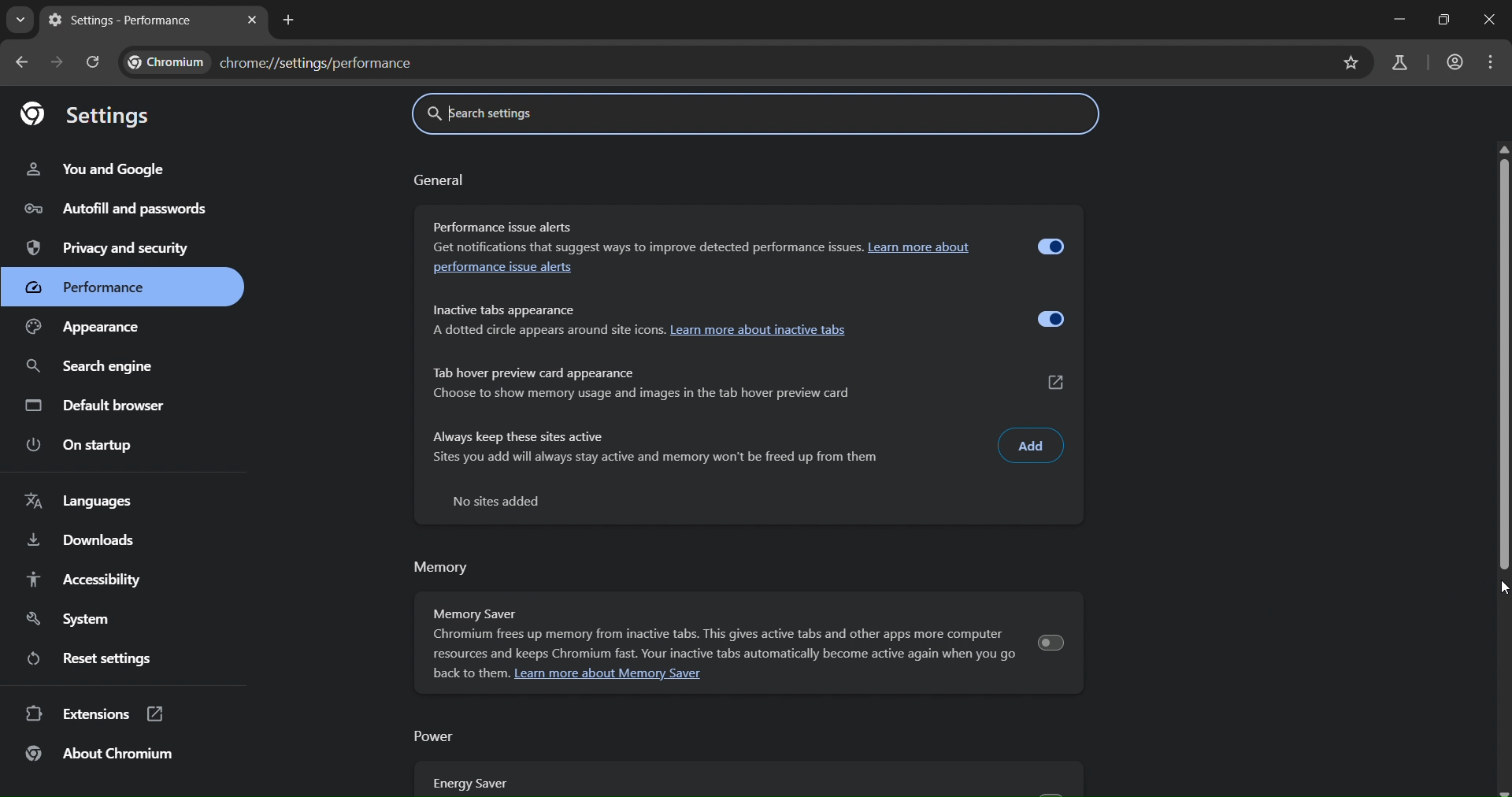  What do you see at coordinates (650, 383) in the screenshot?
I see `Tab hover preview card appearance
Choose to show memory usage and images in the tab hover preview card` at bounding box center [650, 383].